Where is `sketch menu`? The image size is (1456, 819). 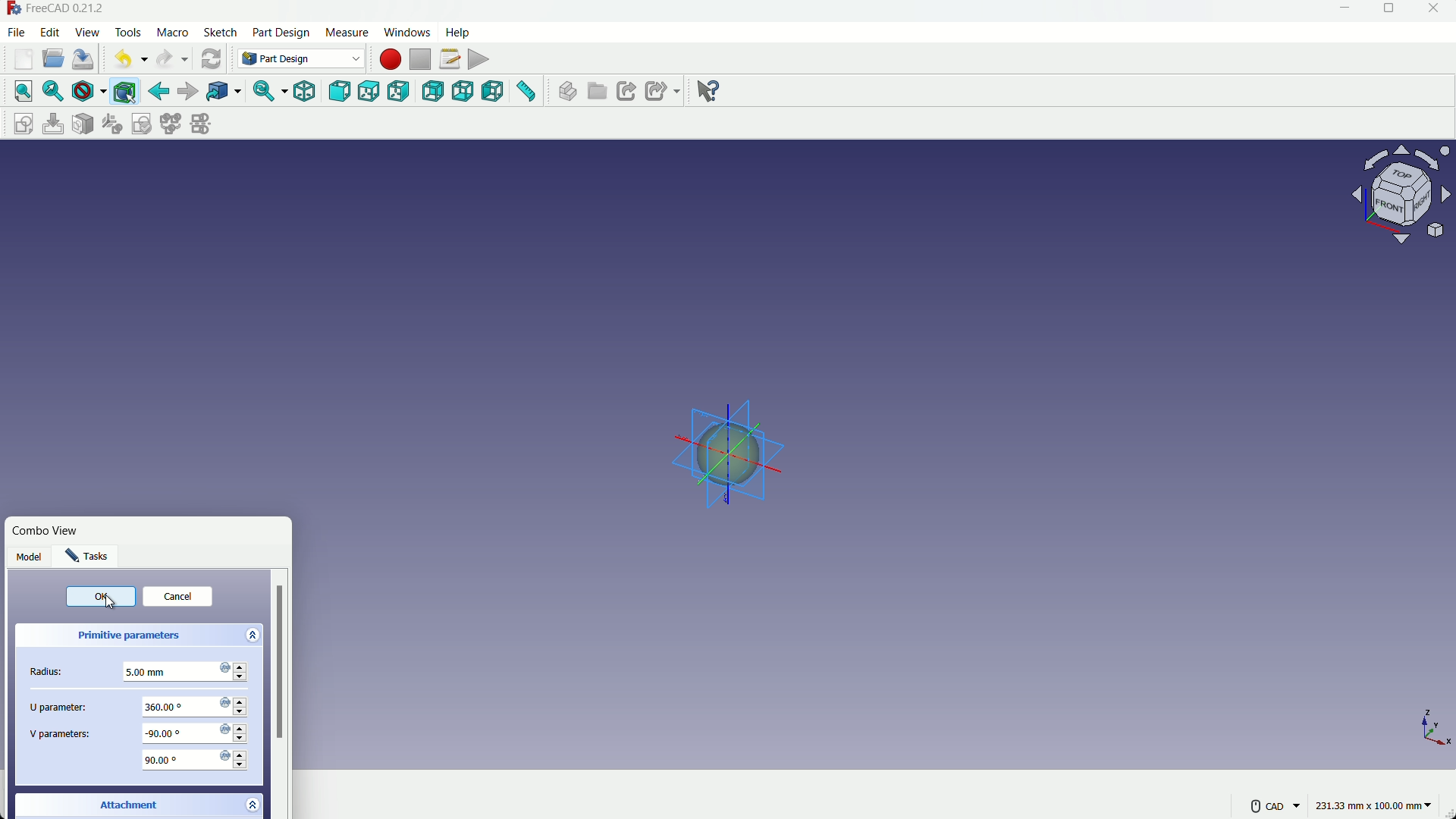 sketch menu is located at coordinates (220, 33).